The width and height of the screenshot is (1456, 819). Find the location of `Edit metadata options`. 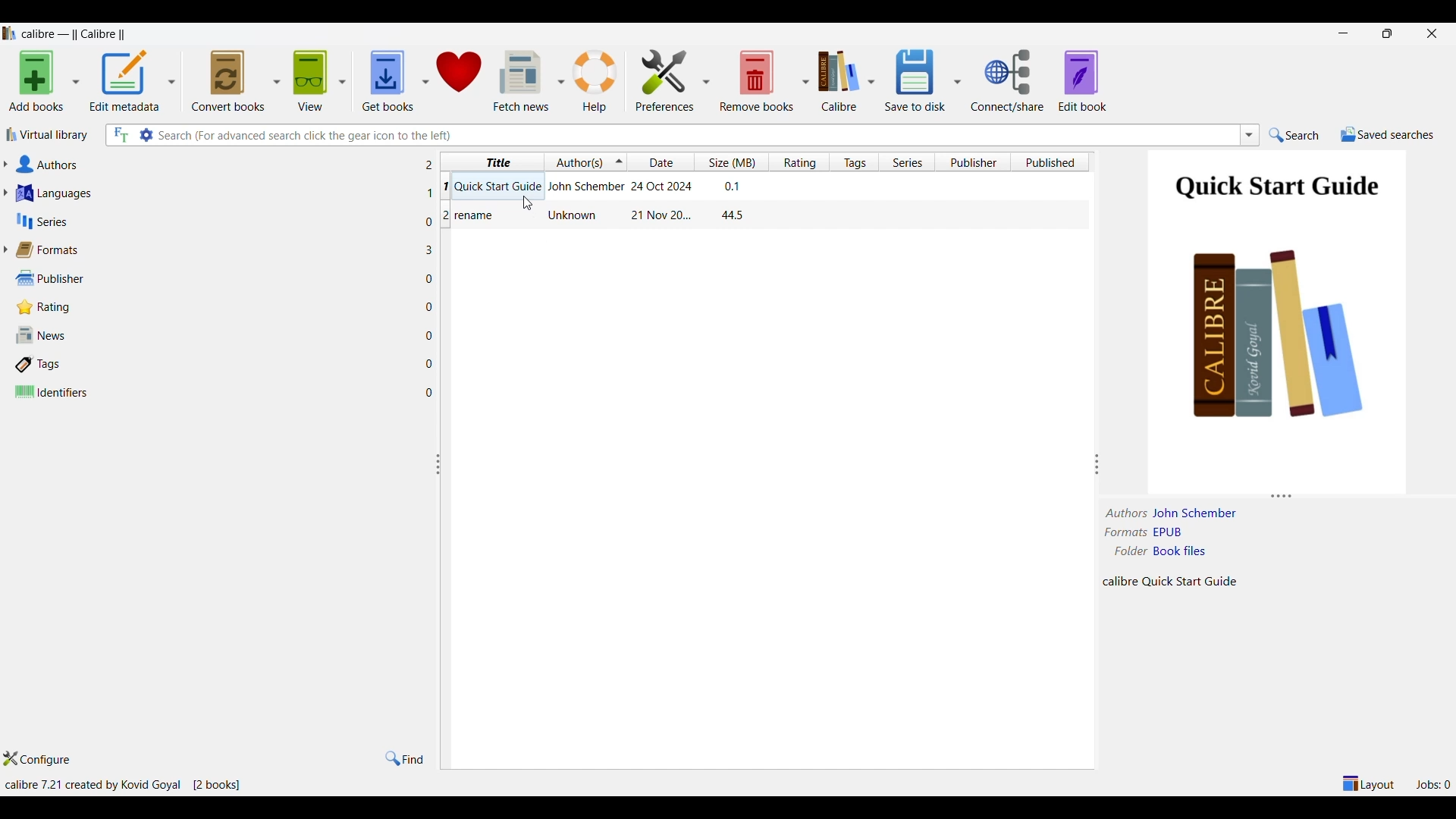

Edit metadata options is located at coordinates (170, 82).